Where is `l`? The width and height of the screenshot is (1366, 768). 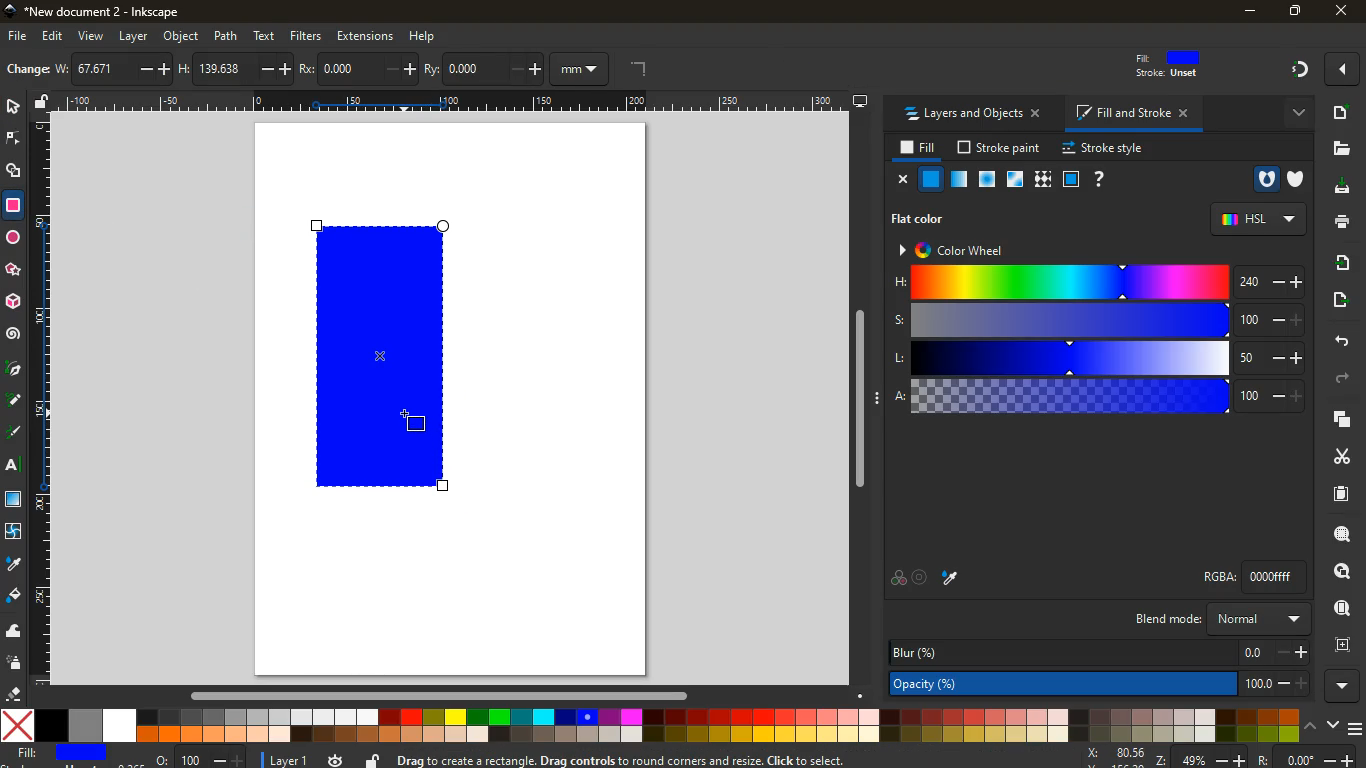 l is located at coordinates (1103, 358).